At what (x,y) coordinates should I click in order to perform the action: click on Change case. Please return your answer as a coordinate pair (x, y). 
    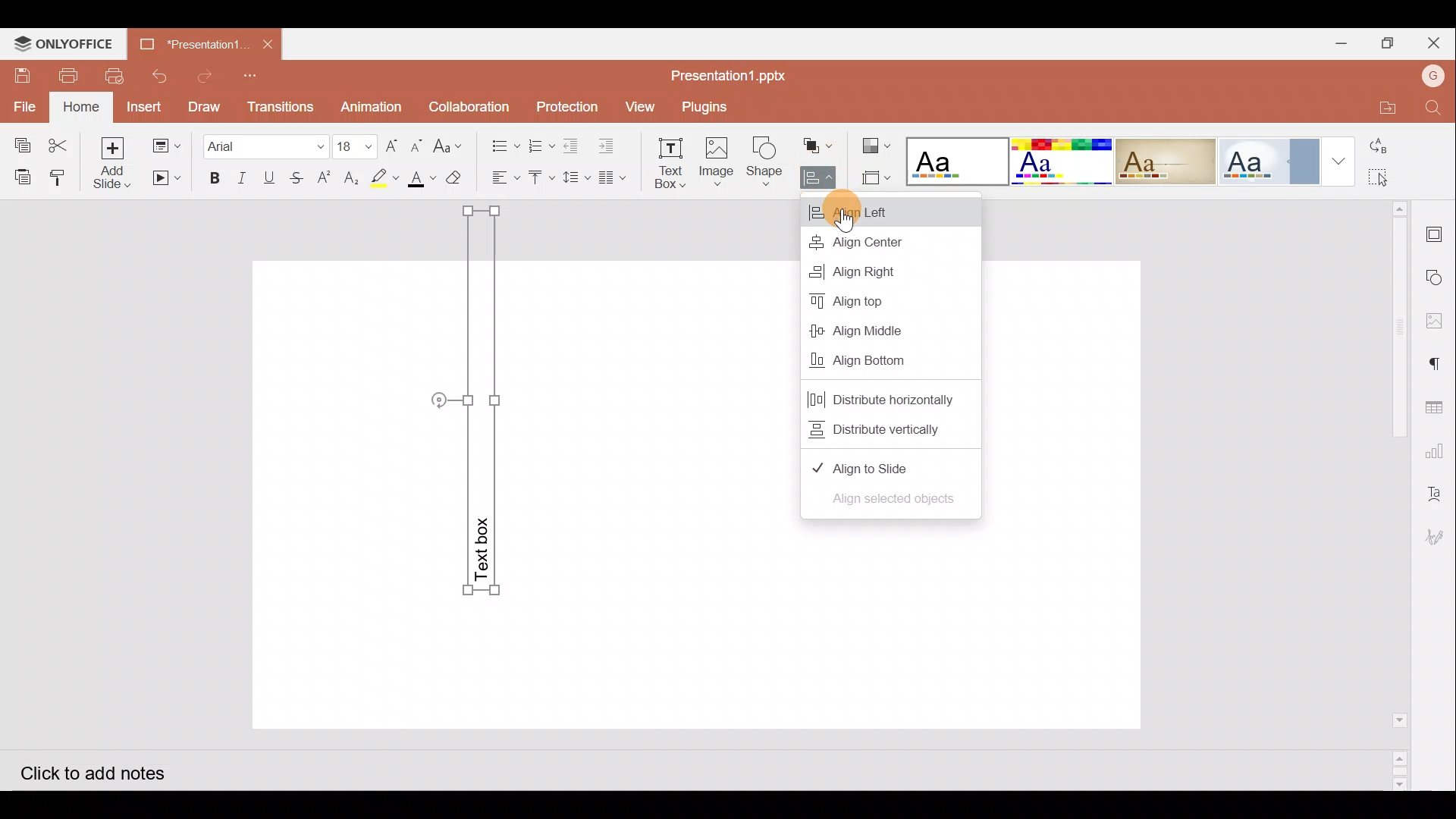
    Looking at the image, I should click on (451, 143).